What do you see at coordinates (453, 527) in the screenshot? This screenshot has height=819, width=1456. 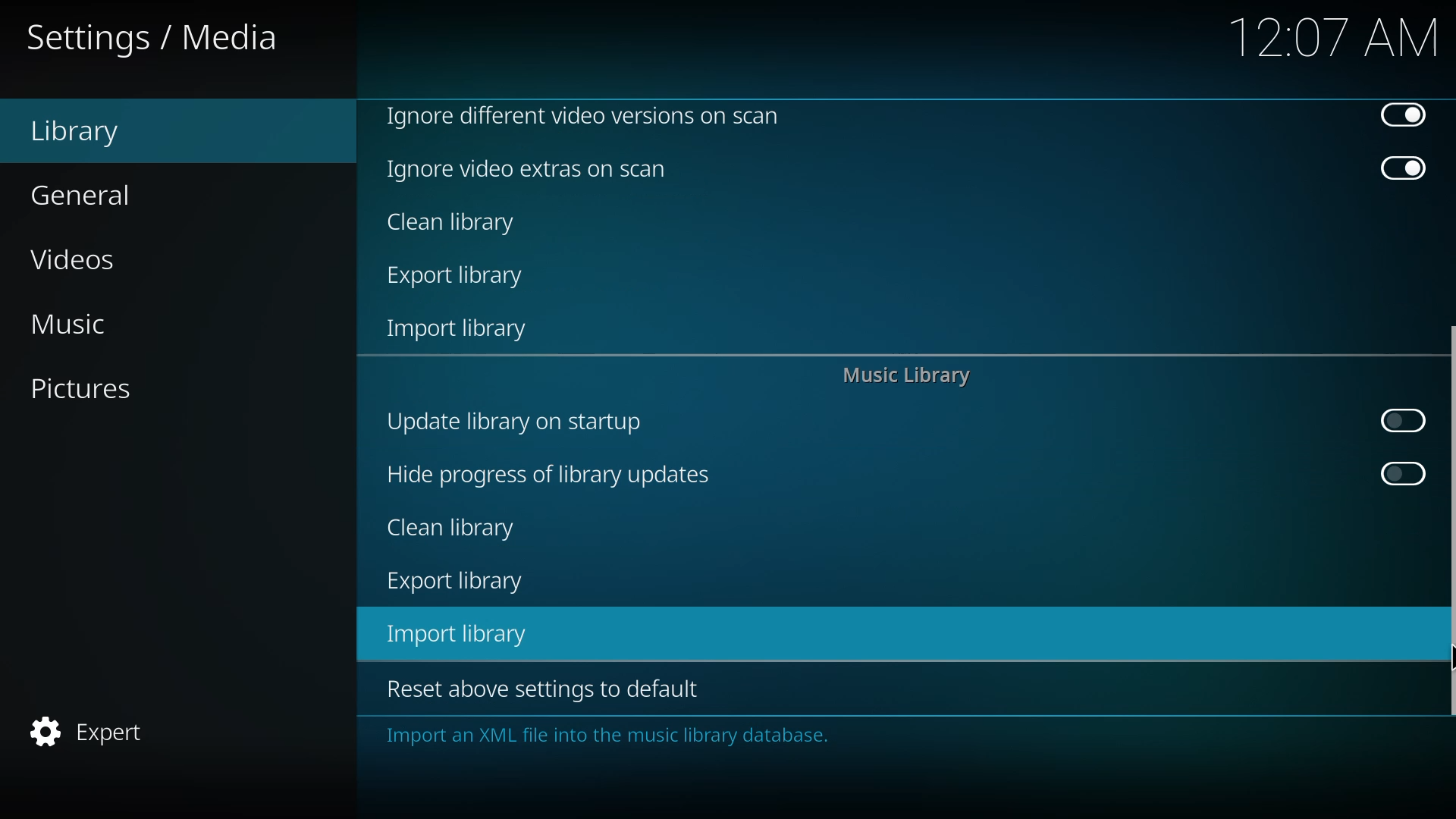 I see `clean library` at bounding box center [453, 527].